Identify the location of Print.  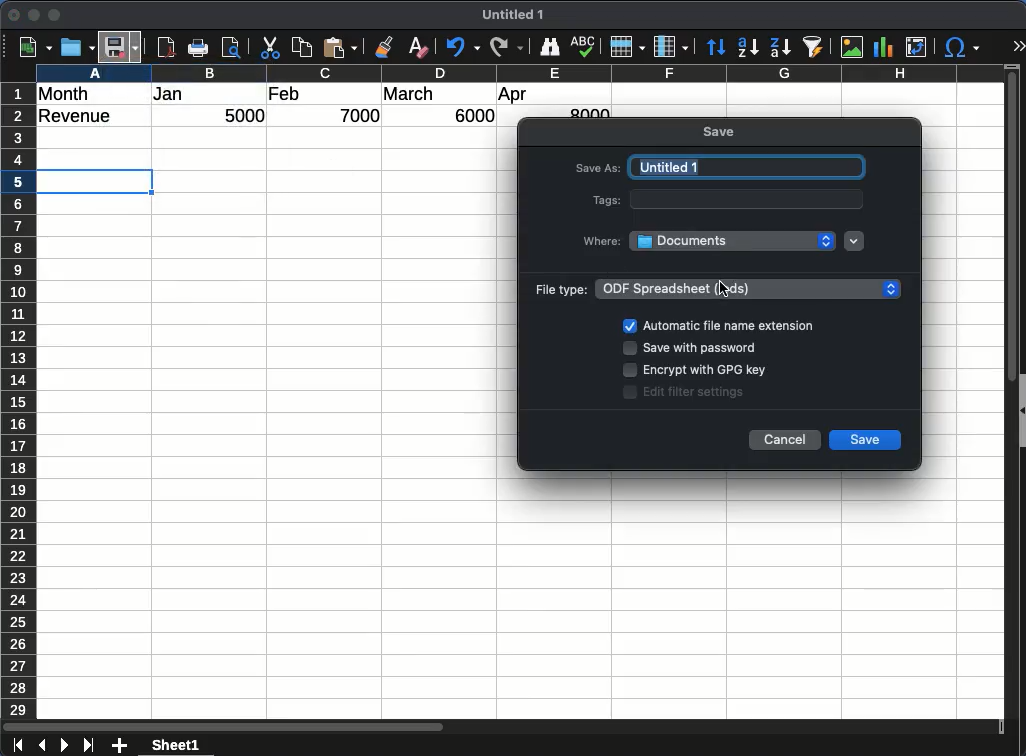
(201, 48).